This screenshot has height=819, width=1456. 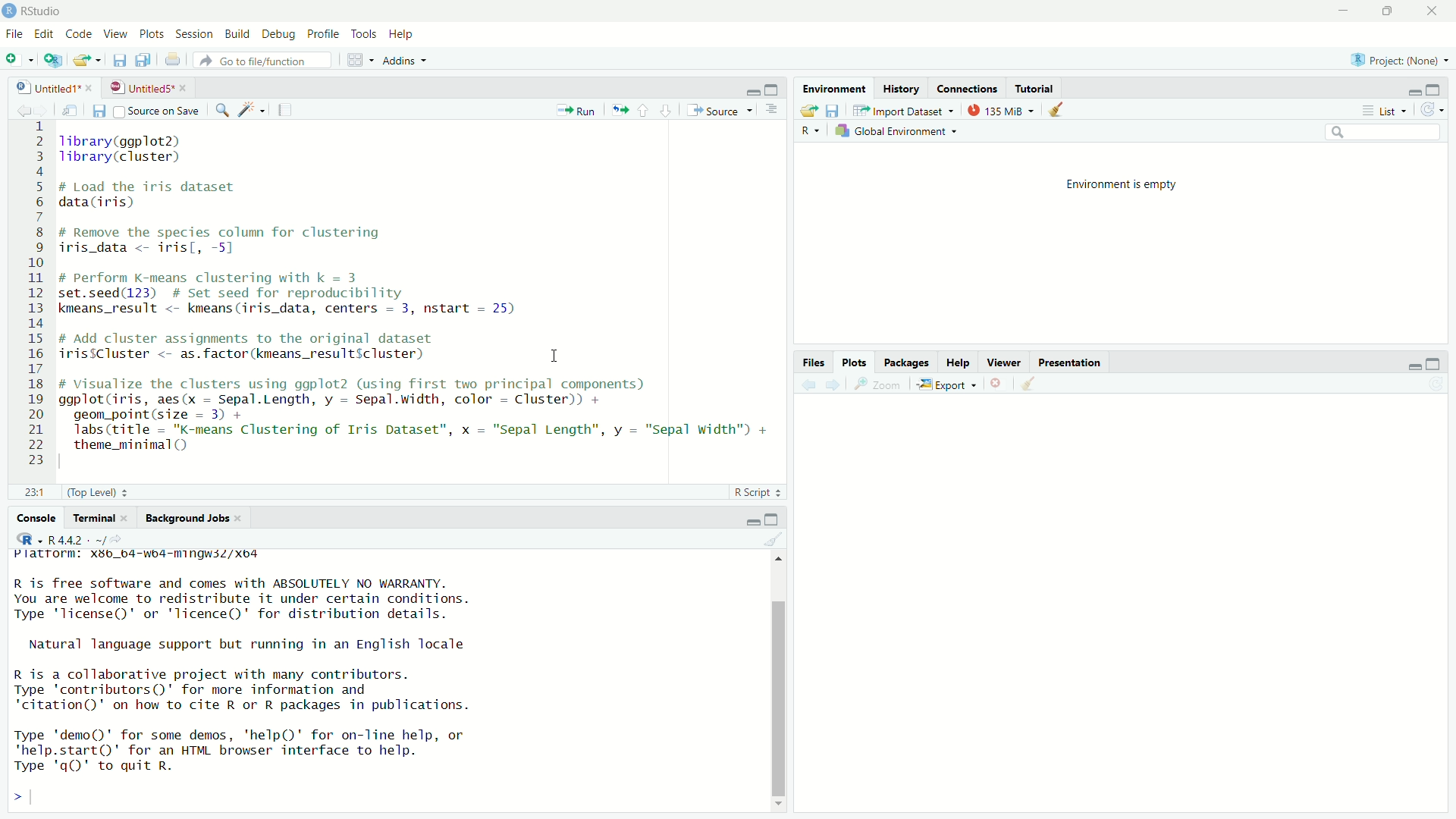 I want to click on RStudio, so click(x=42, y=9).